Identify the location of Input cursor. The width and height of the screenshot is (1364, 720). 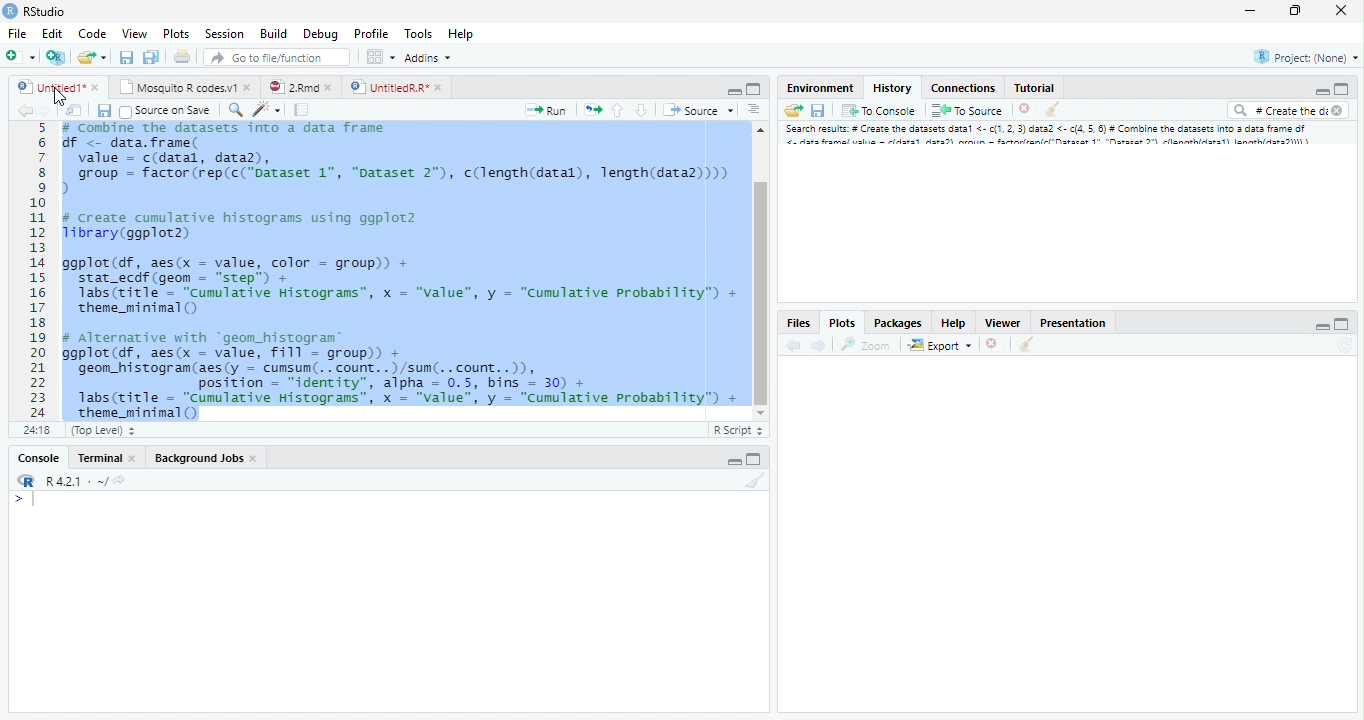
(38, 500).